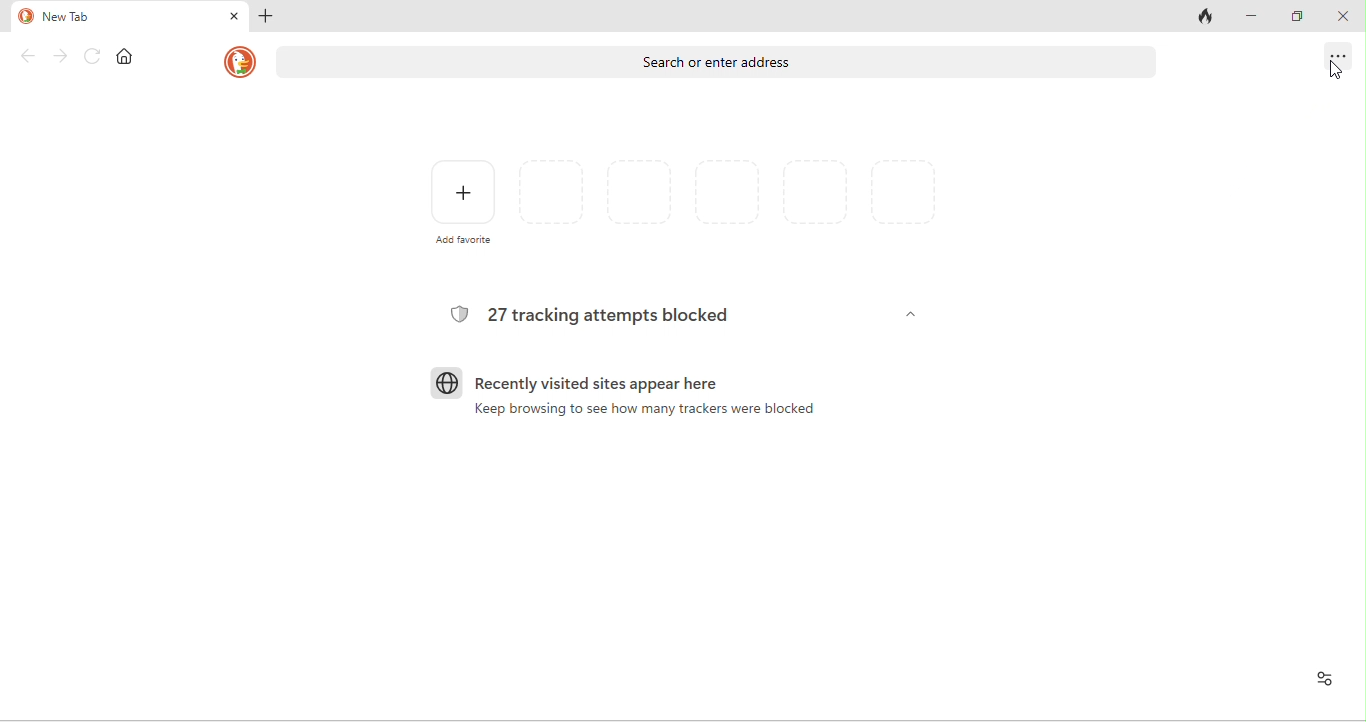  Describe the element at coordinates (233, 18) in the screenshot. I see `close` at that location.